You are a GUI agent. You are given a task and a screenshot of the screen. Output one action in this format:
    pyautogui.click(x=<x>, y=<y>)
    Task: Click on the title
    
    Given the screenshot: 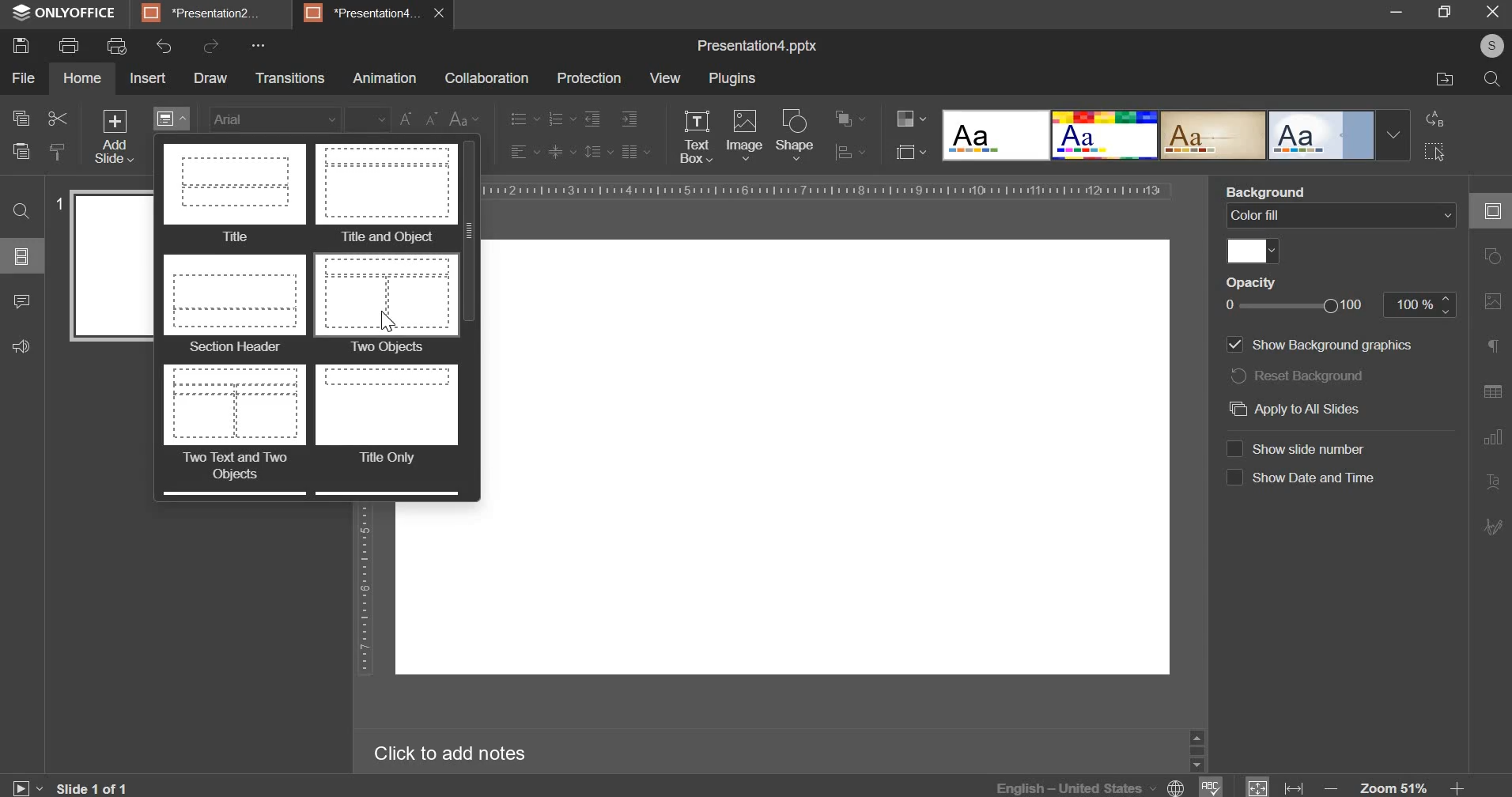 What is the action you would take?
    pyautogui.click(x=236, y=192)
    